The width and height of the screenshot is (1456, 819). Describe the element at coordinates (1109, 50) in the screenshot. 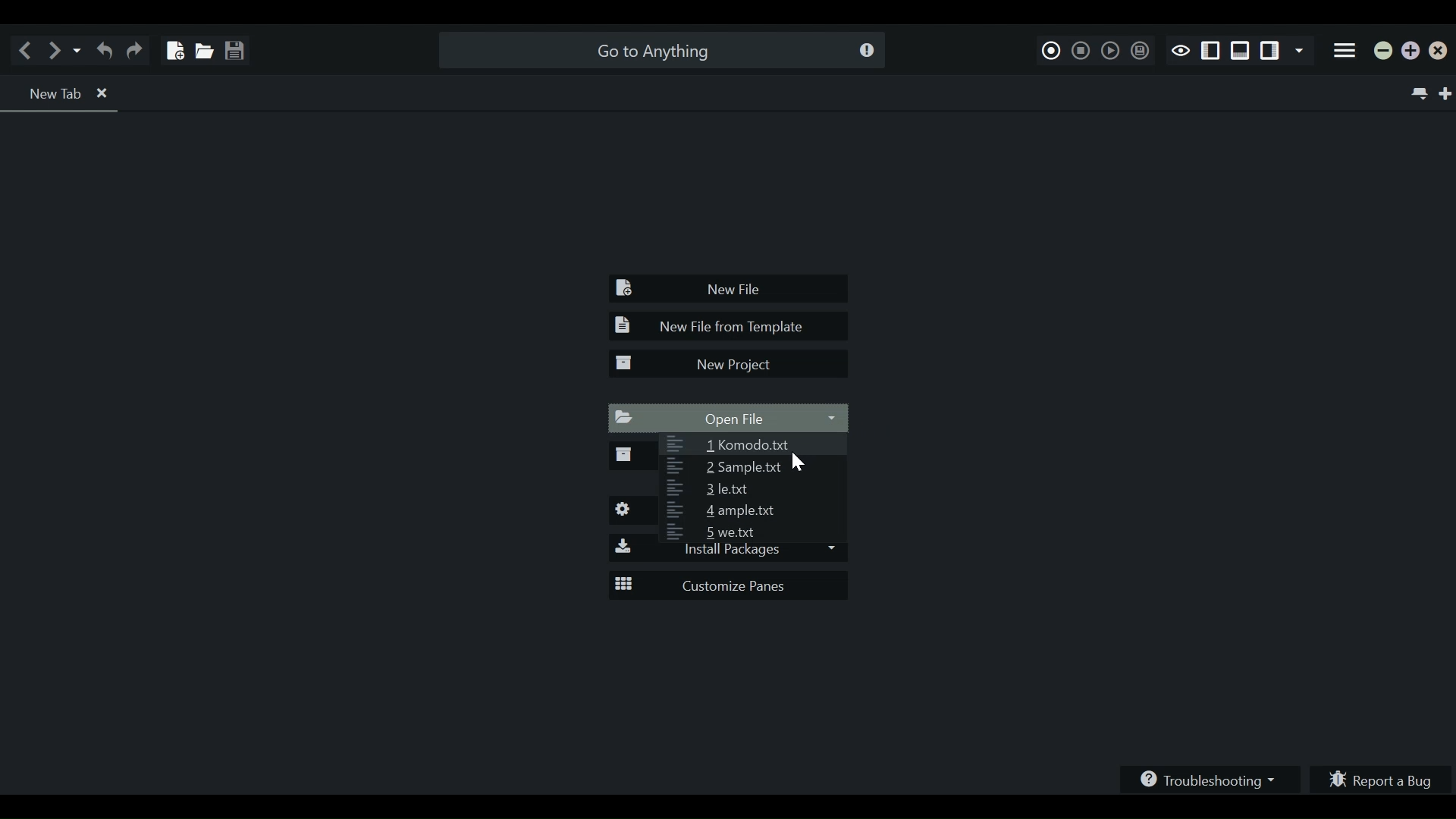

I see `Play Last Macro` at that location.